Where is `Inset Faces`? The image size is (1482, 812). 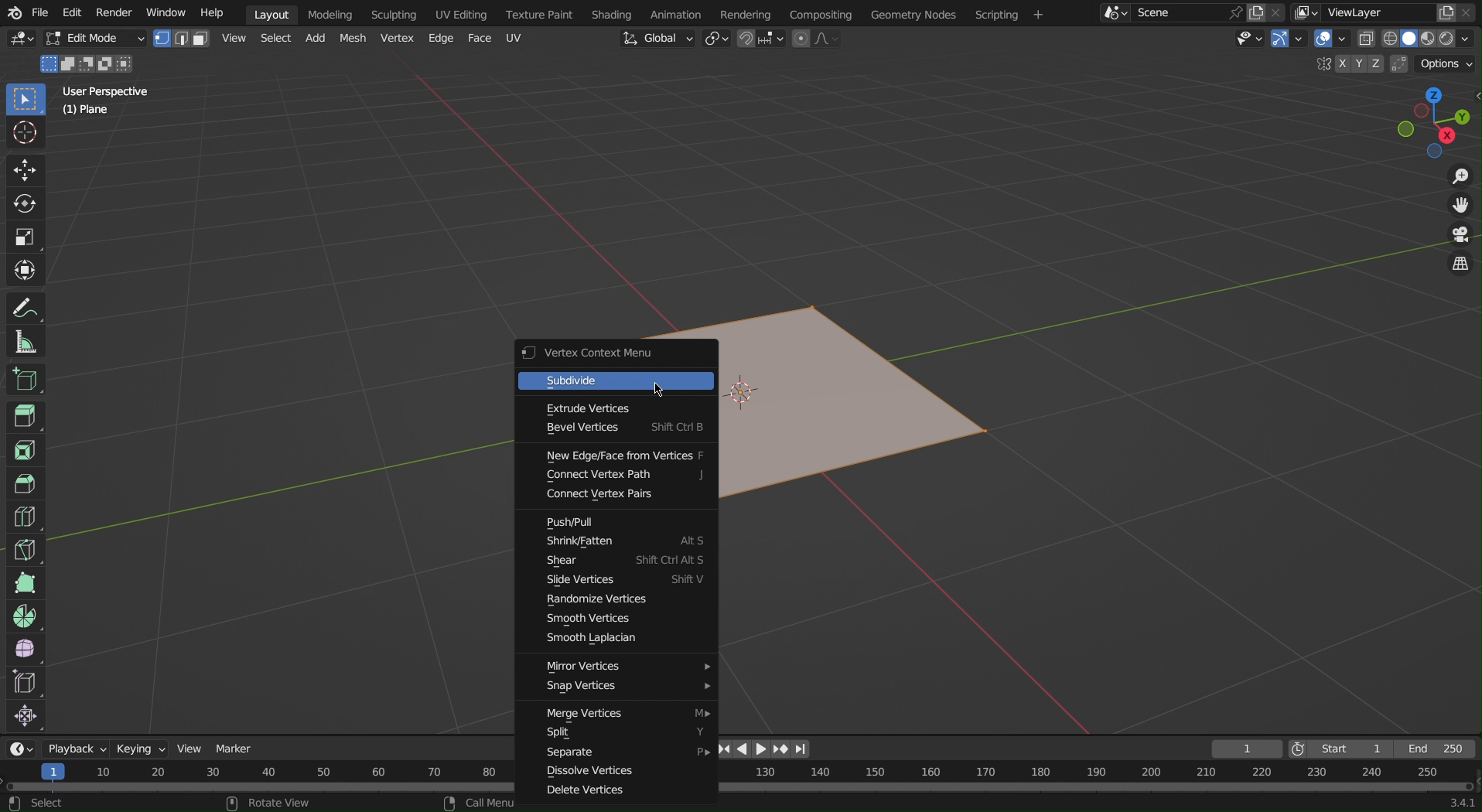 Inset Faces is located at coordinates (25, 451).